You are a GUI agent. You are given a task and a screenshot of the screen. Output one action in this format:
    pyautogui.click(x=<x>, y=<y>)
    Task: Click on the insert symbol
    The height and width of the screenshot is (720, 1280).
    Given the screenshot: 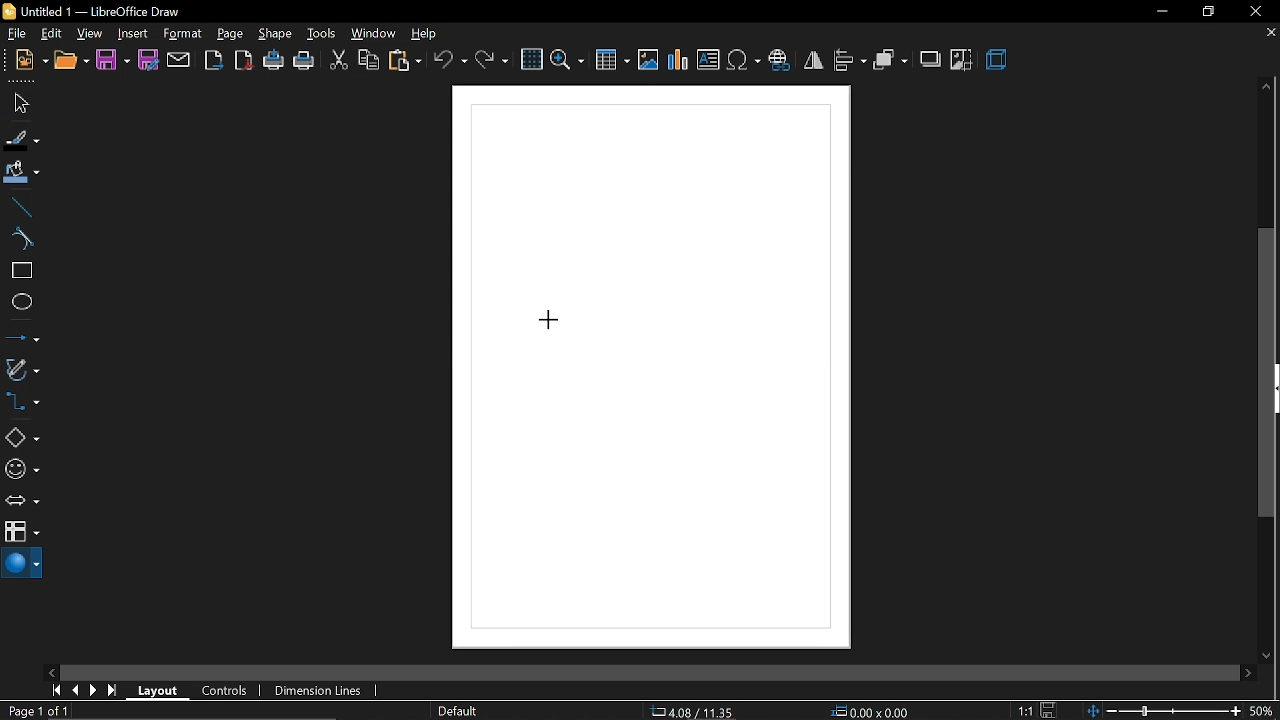 What is the action you would take?
    pyautogui.click(x=743, y=60)
    